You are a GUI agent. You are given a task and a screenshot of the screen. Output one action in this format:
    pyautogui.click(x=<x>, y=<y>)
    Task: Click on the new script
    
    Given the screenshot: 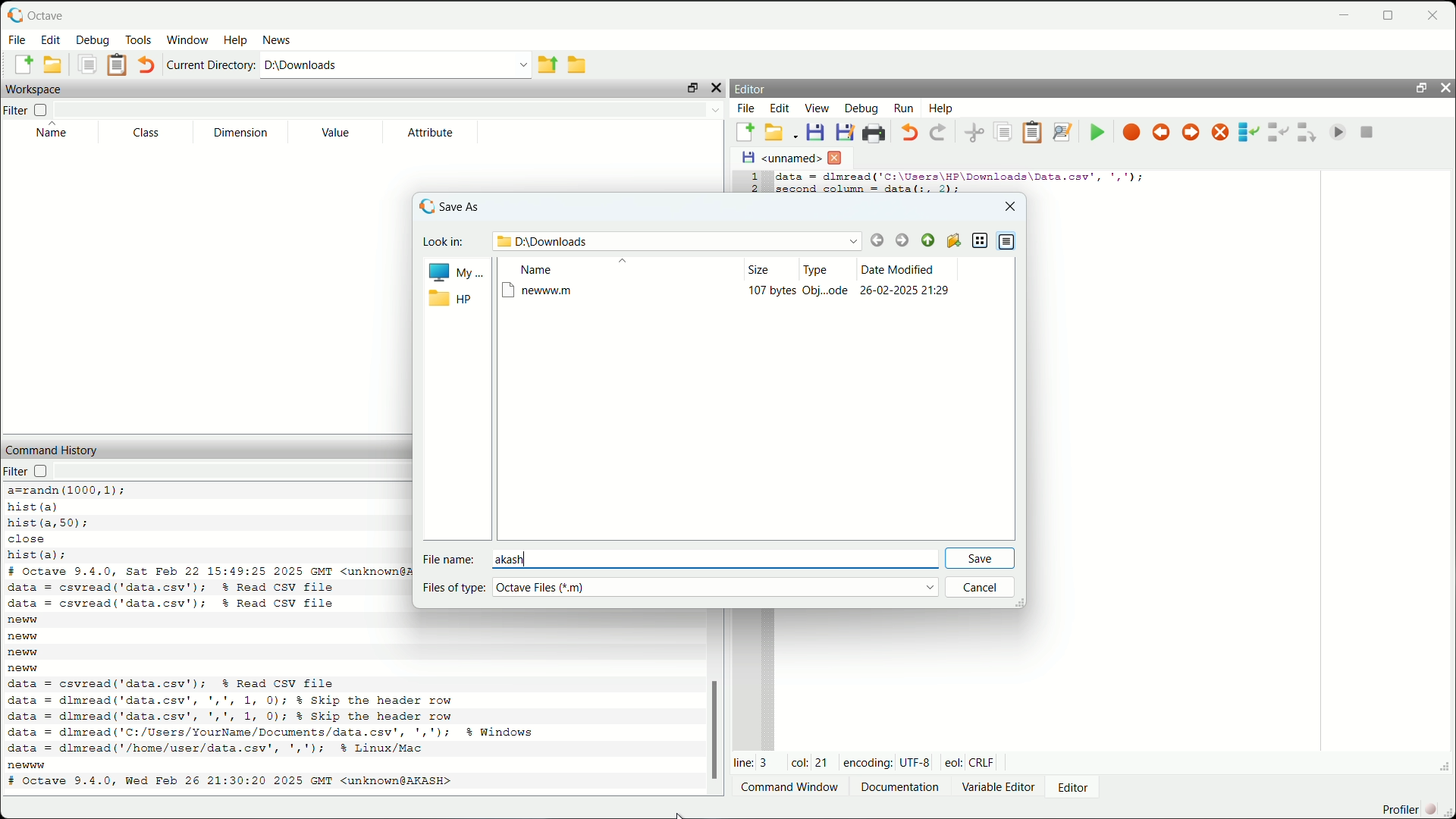 What is the action you would take?
    pyautogui.click(x=20, y=64)
    